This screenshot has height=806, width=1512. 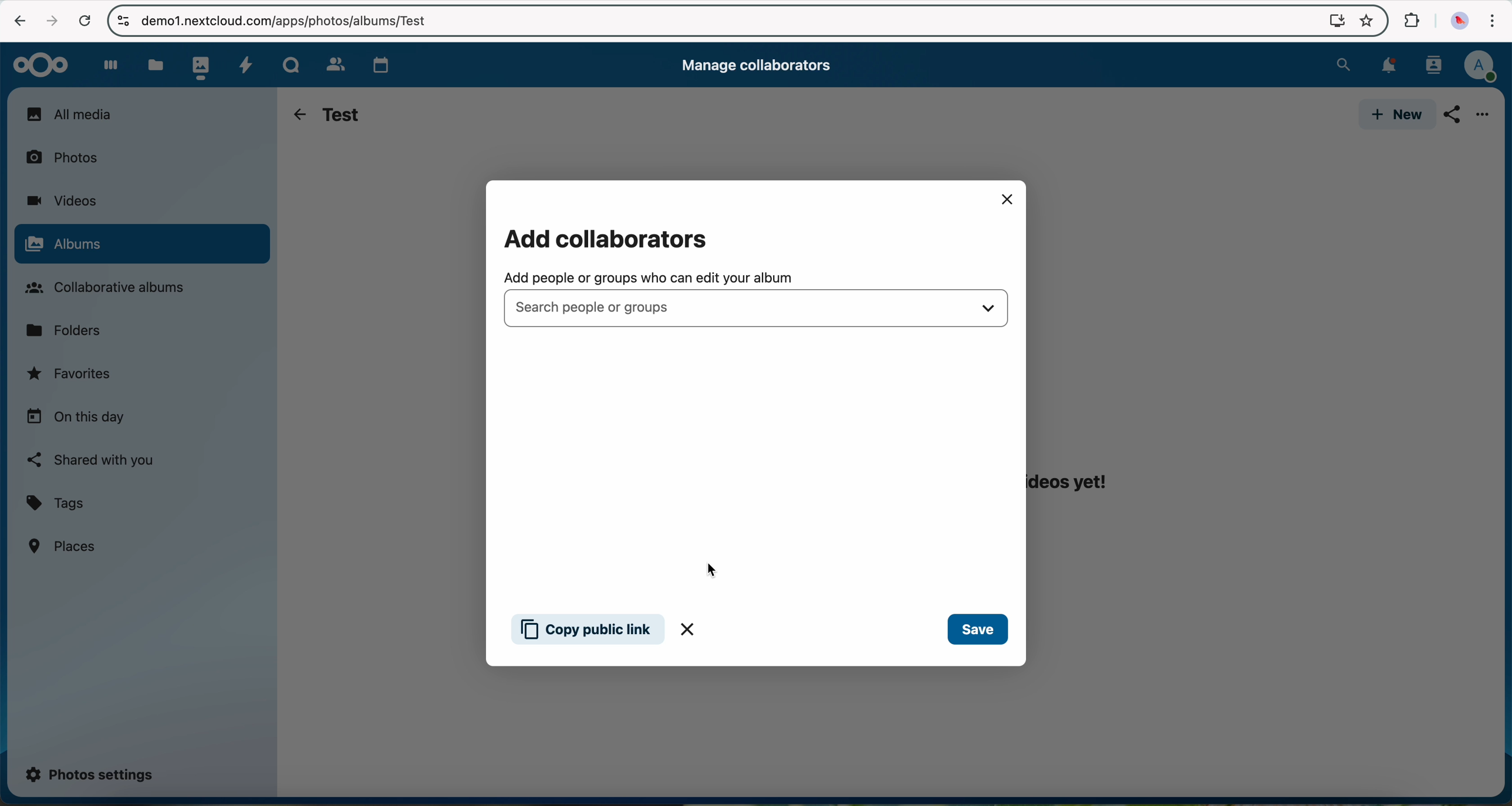 I want to click on contacts, so click(x=1430, y=65).